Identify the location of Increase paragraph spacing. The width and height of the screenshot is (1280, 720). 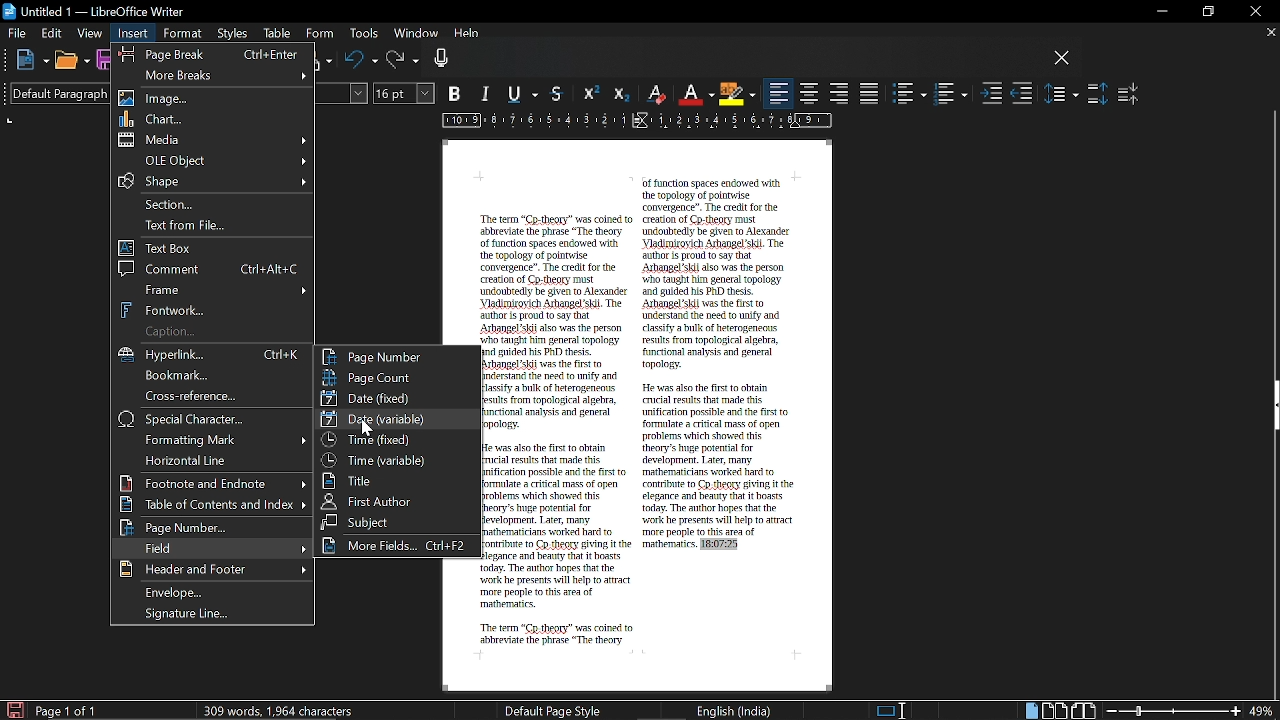
(1097, 94).